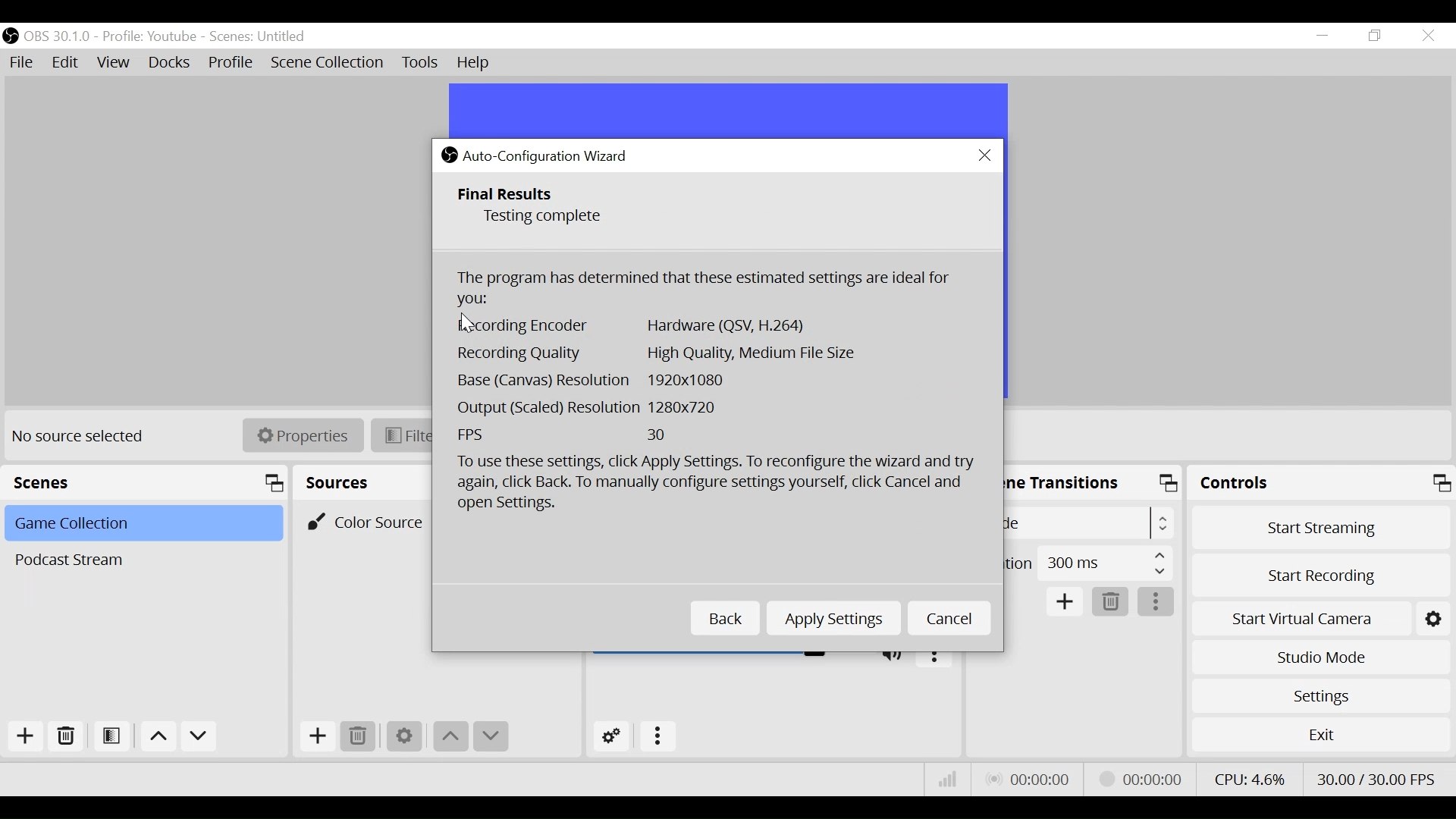 The height and width of the screenshot is (819, 1456). Describe the element at coordinates (1436, 617) in the screenshot. I see `settings` at that location.